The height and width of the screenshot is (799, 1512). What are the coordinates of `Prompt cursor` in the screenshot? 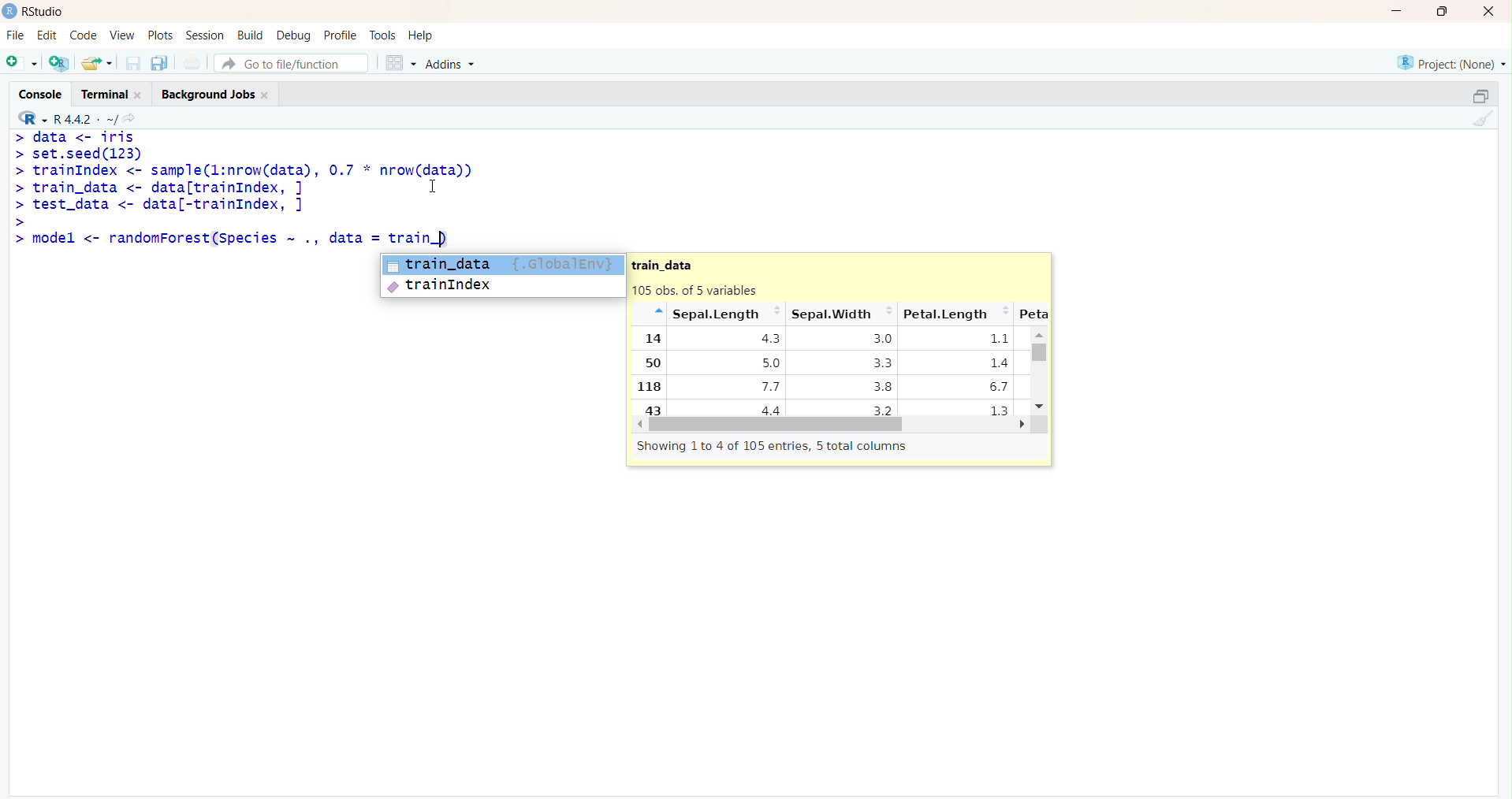 It's located at (18, 137).